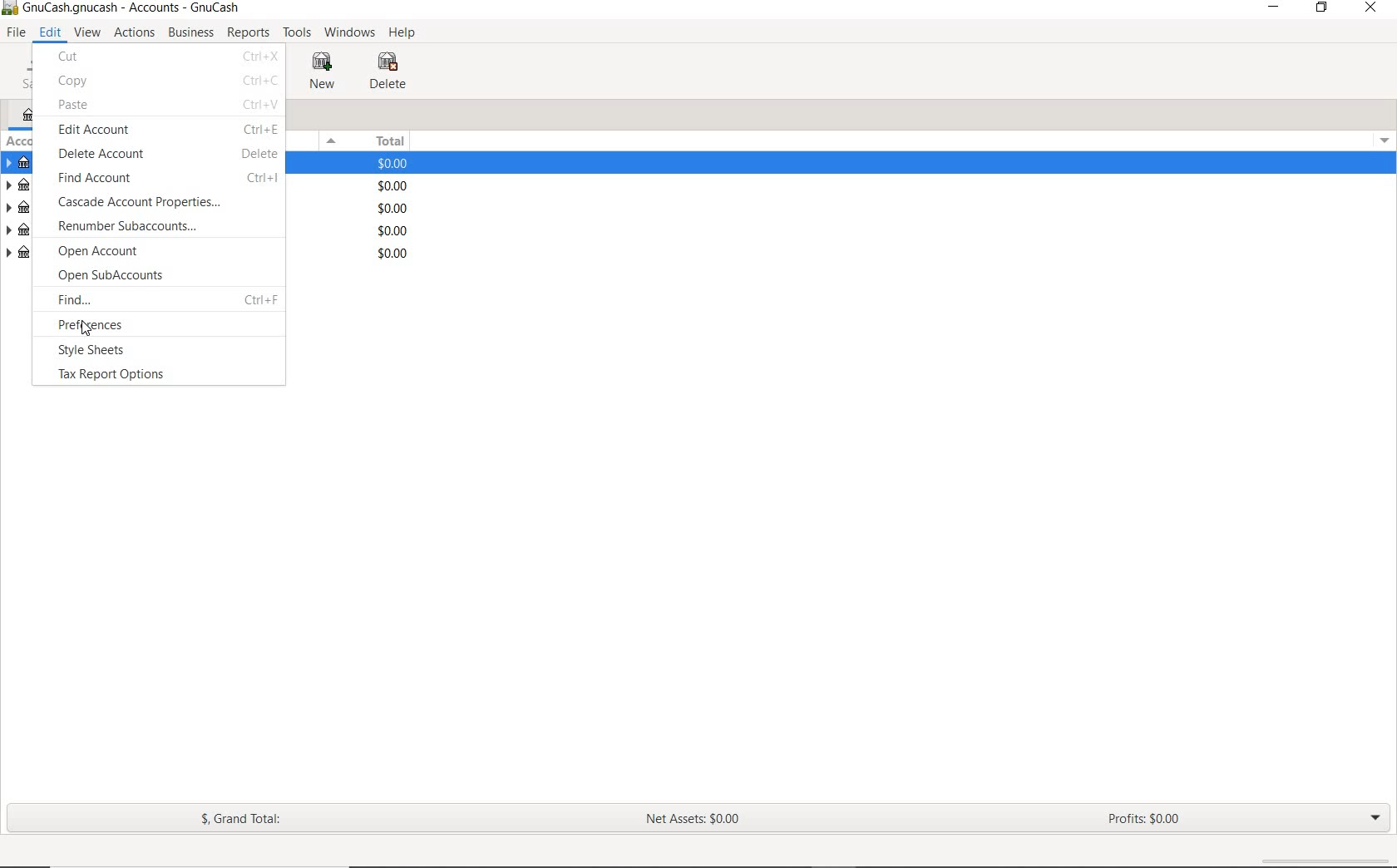 Image resolution: width=1397 pixels, height=868 pixels. Describe the element at coordinates (397, 211) in the screenshot. I see `$0.00` at that location.